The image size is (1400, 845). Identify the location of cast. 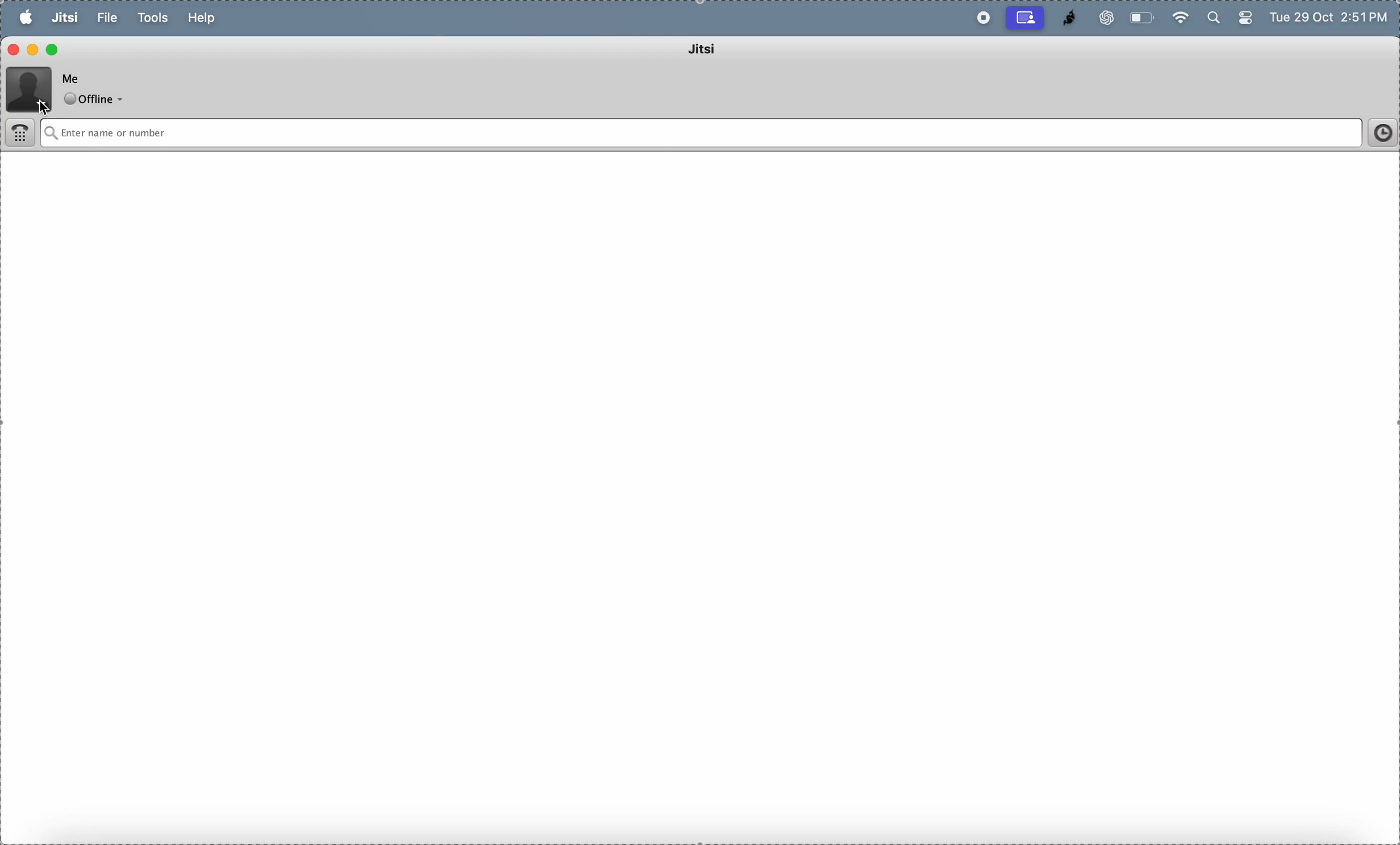
(1026, 18).